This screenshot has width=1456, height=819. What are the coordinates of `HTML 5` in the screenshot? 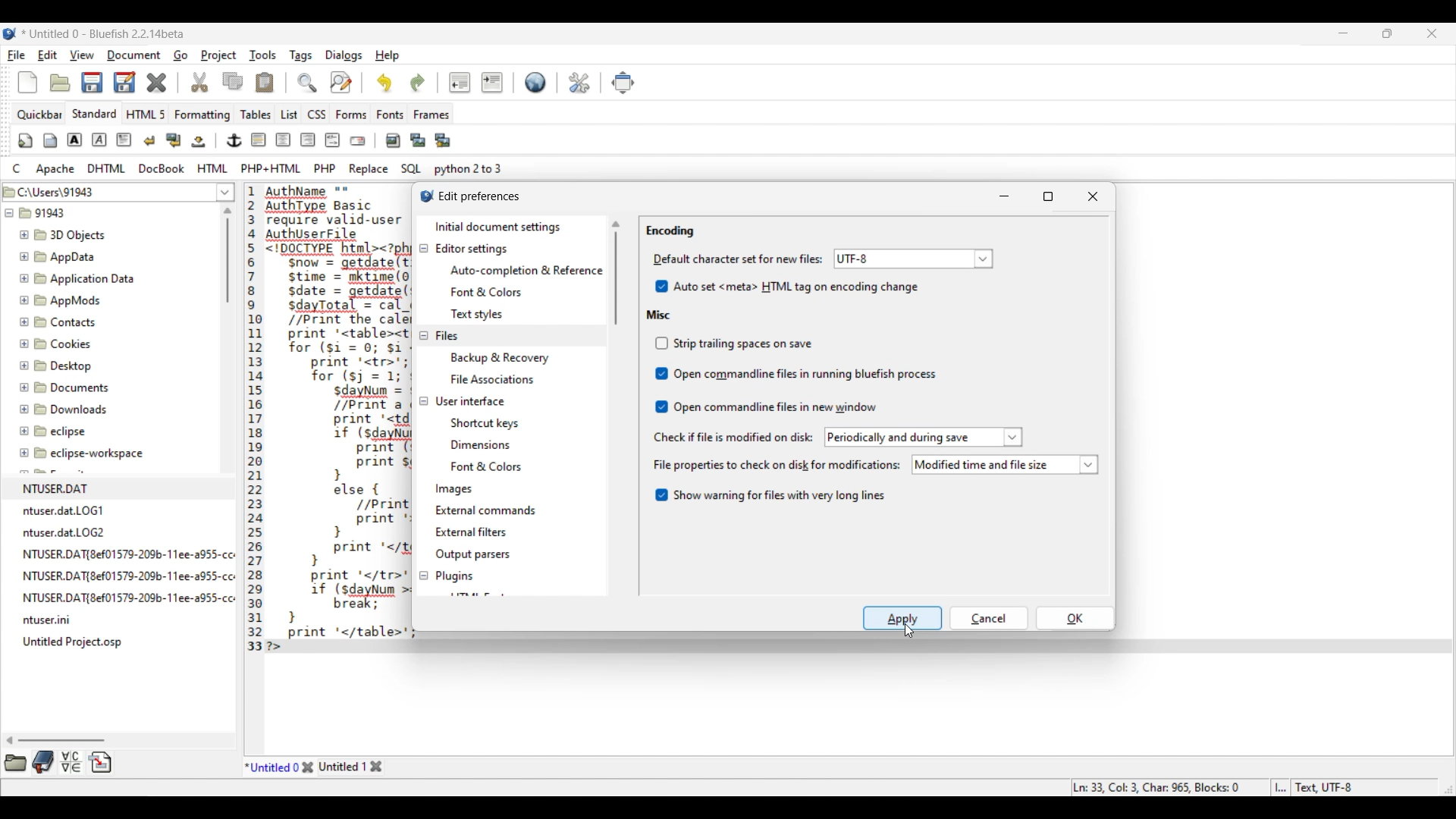 It's located at (146, 114).